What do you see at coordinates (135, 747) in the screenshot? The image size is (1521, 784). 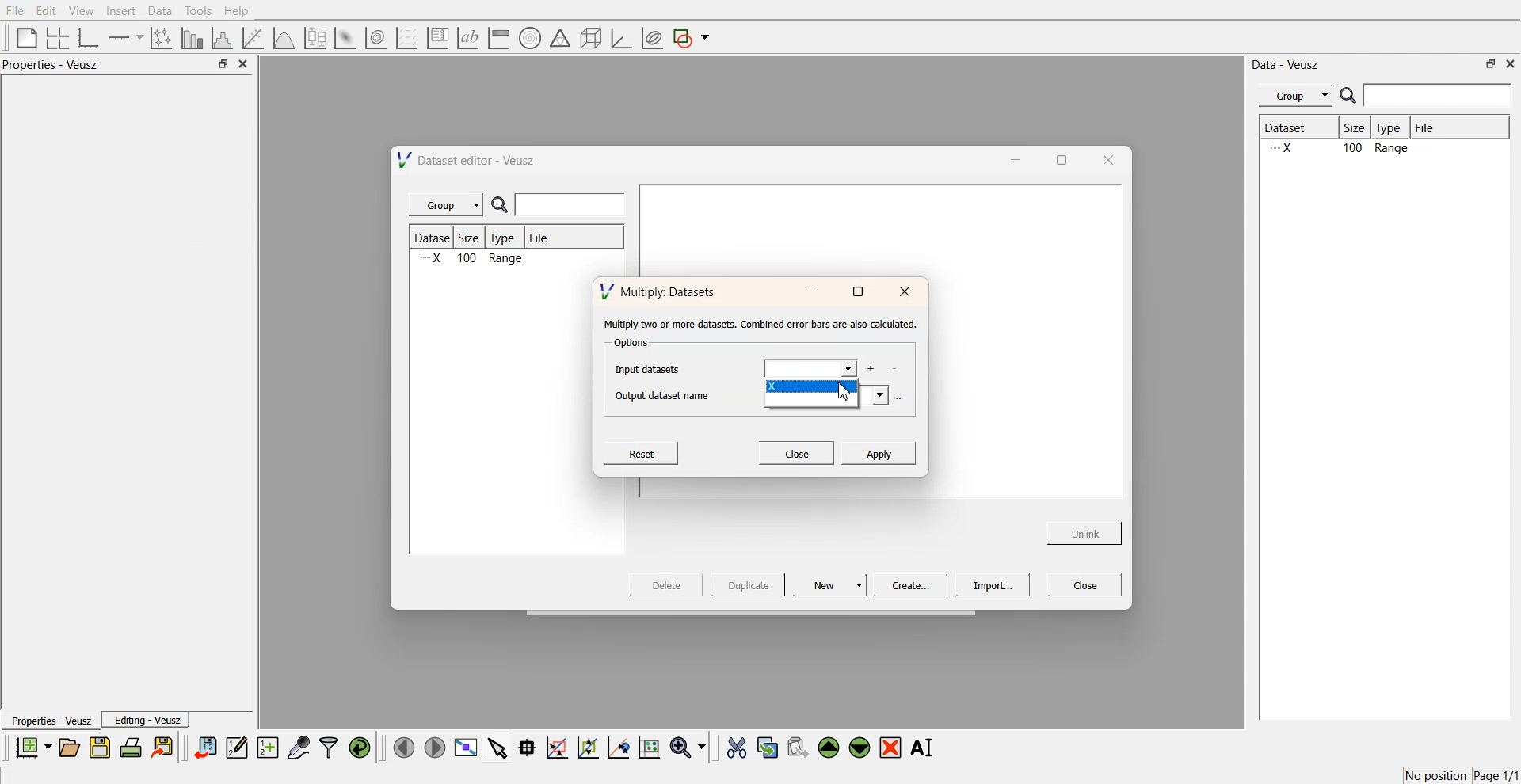 I see `print` at bounding box center [135, 747].